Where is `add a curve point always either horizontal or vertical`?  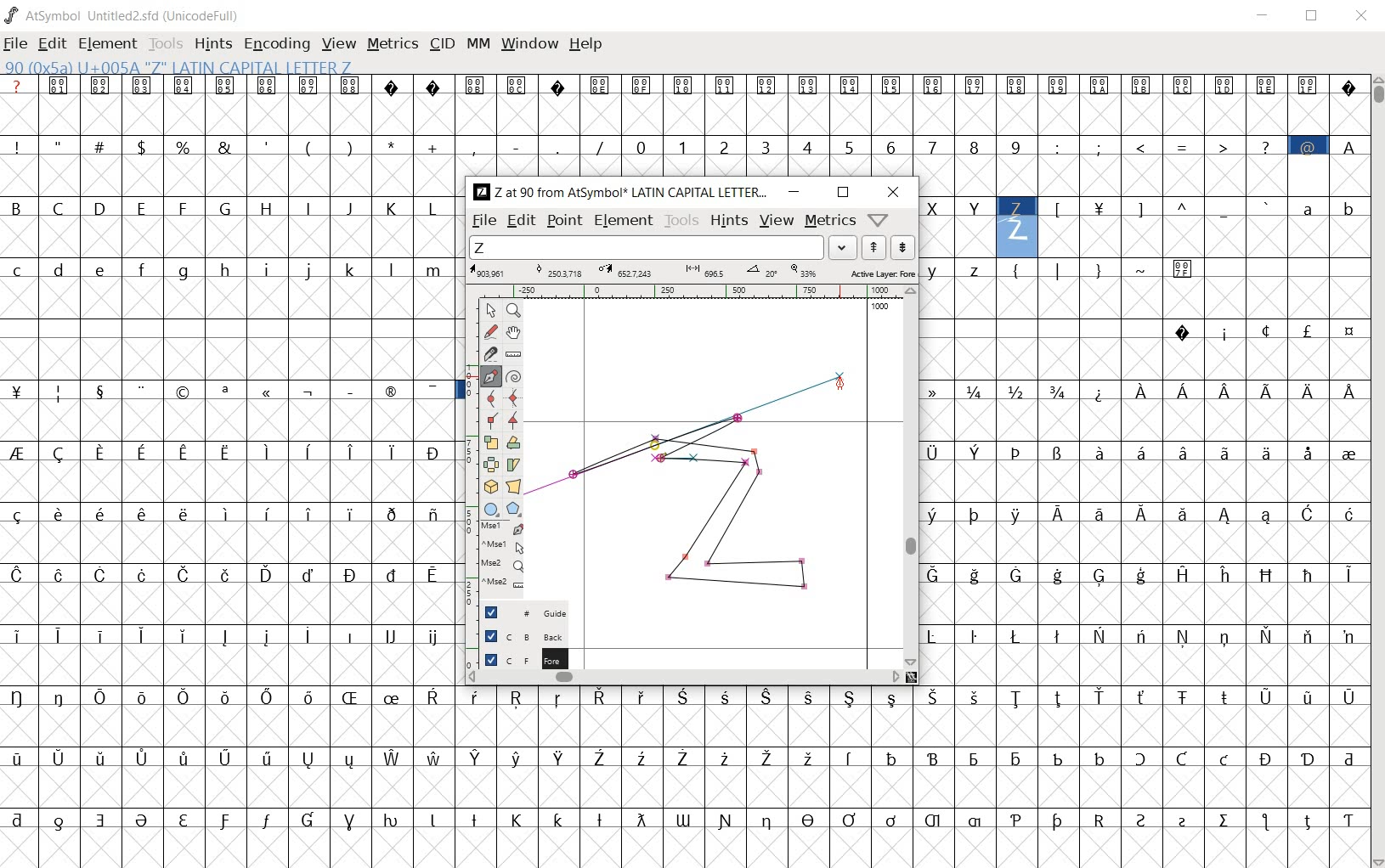 add a curve point always either horizontal or vertical is located at coordinates (513, 397).